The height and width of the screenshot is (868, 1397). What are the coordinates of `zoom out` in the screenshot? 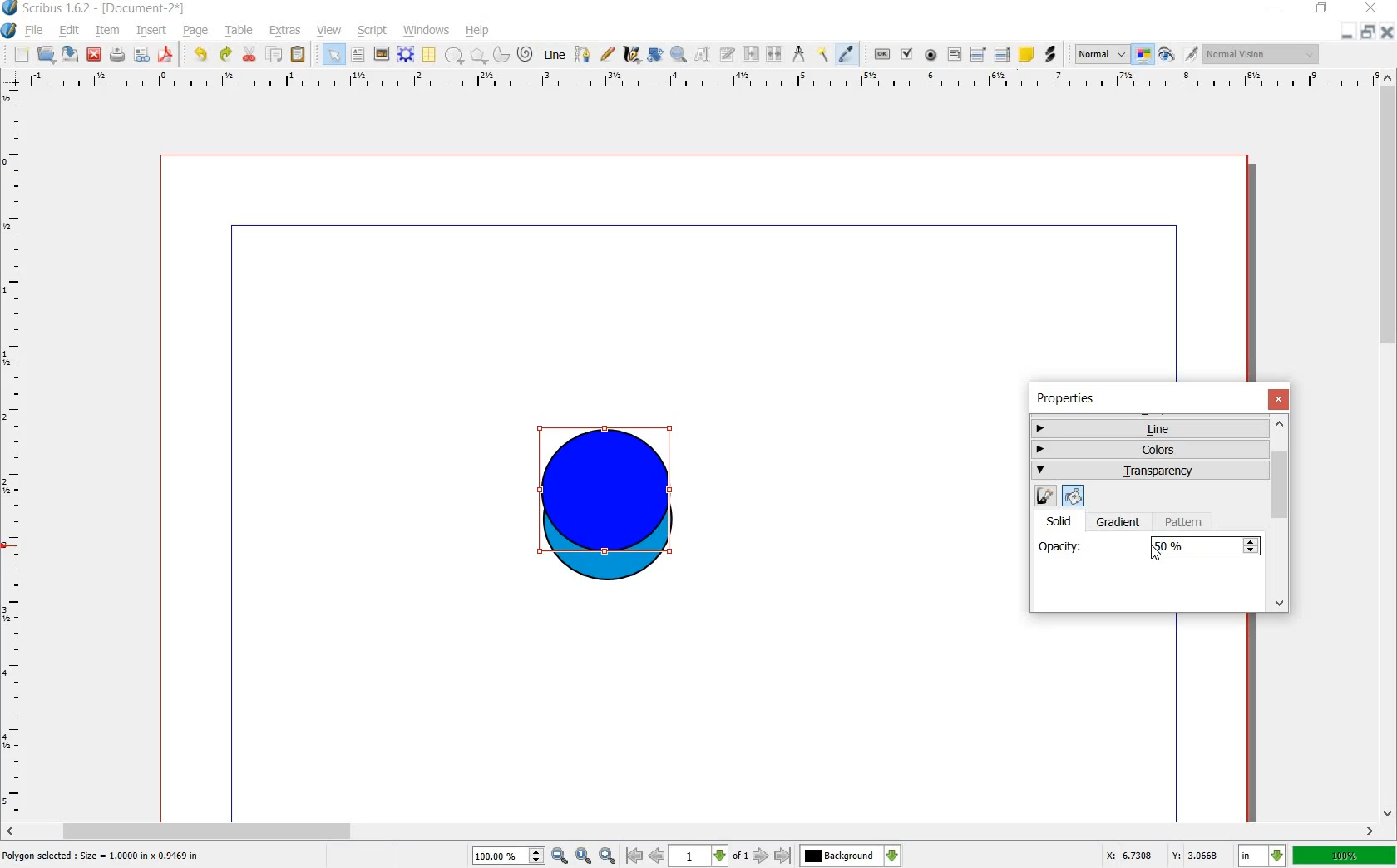 It's located at (560, 856).